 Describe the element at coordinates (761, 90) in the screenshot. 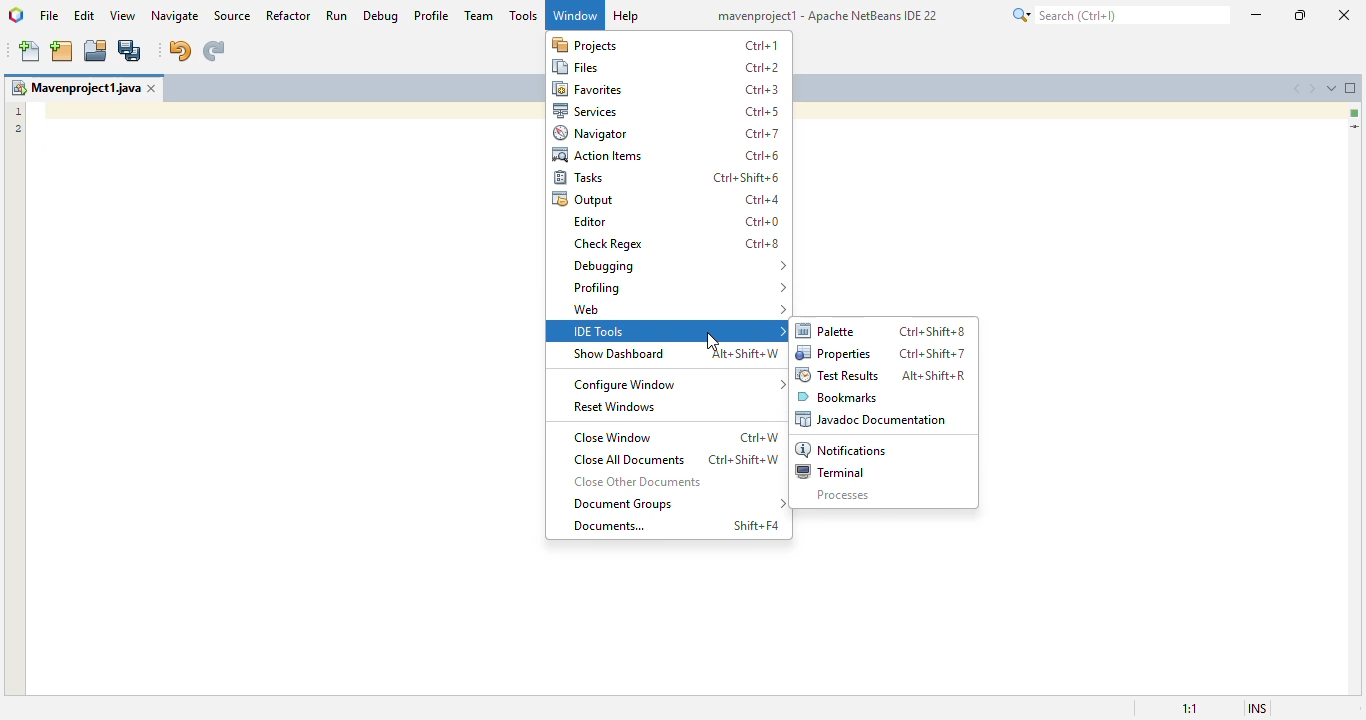

I see `shortcut for favorites` at that location.